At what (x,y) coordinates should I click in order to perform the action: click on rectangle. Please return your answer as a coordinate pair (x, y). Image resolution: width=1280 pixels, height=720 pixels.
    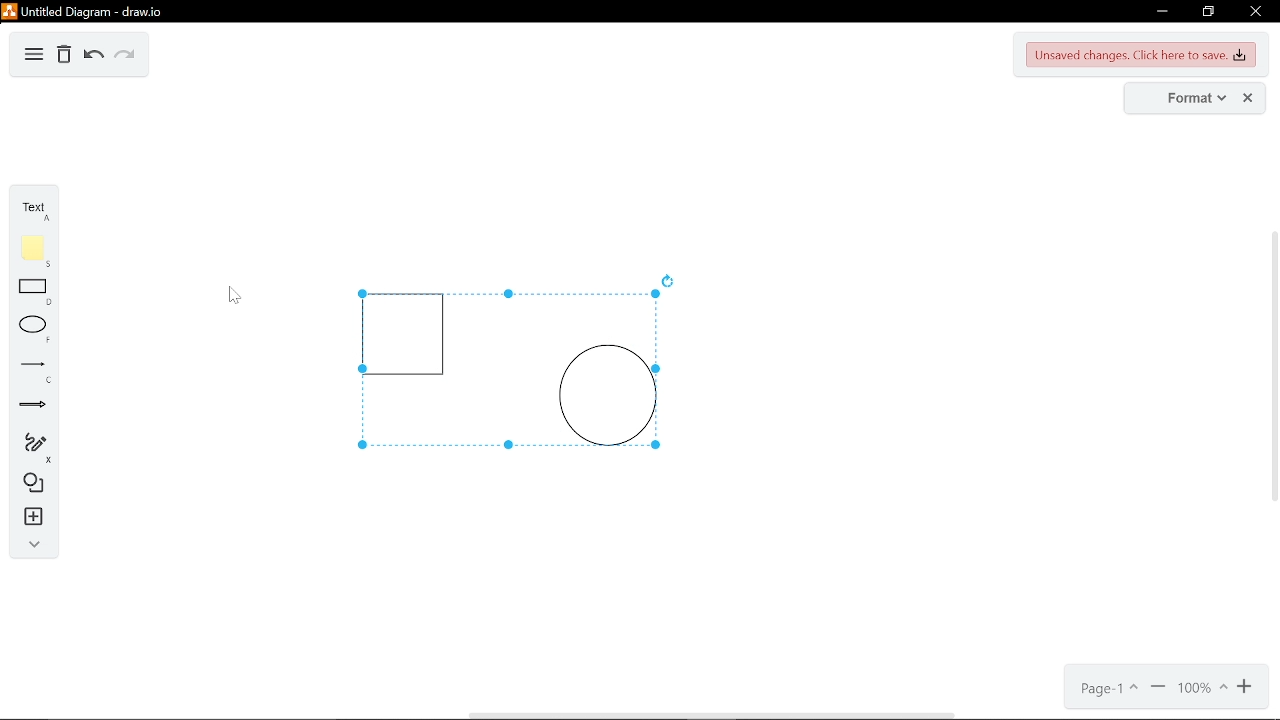
    Looking at the image, I should click on (33, 293).